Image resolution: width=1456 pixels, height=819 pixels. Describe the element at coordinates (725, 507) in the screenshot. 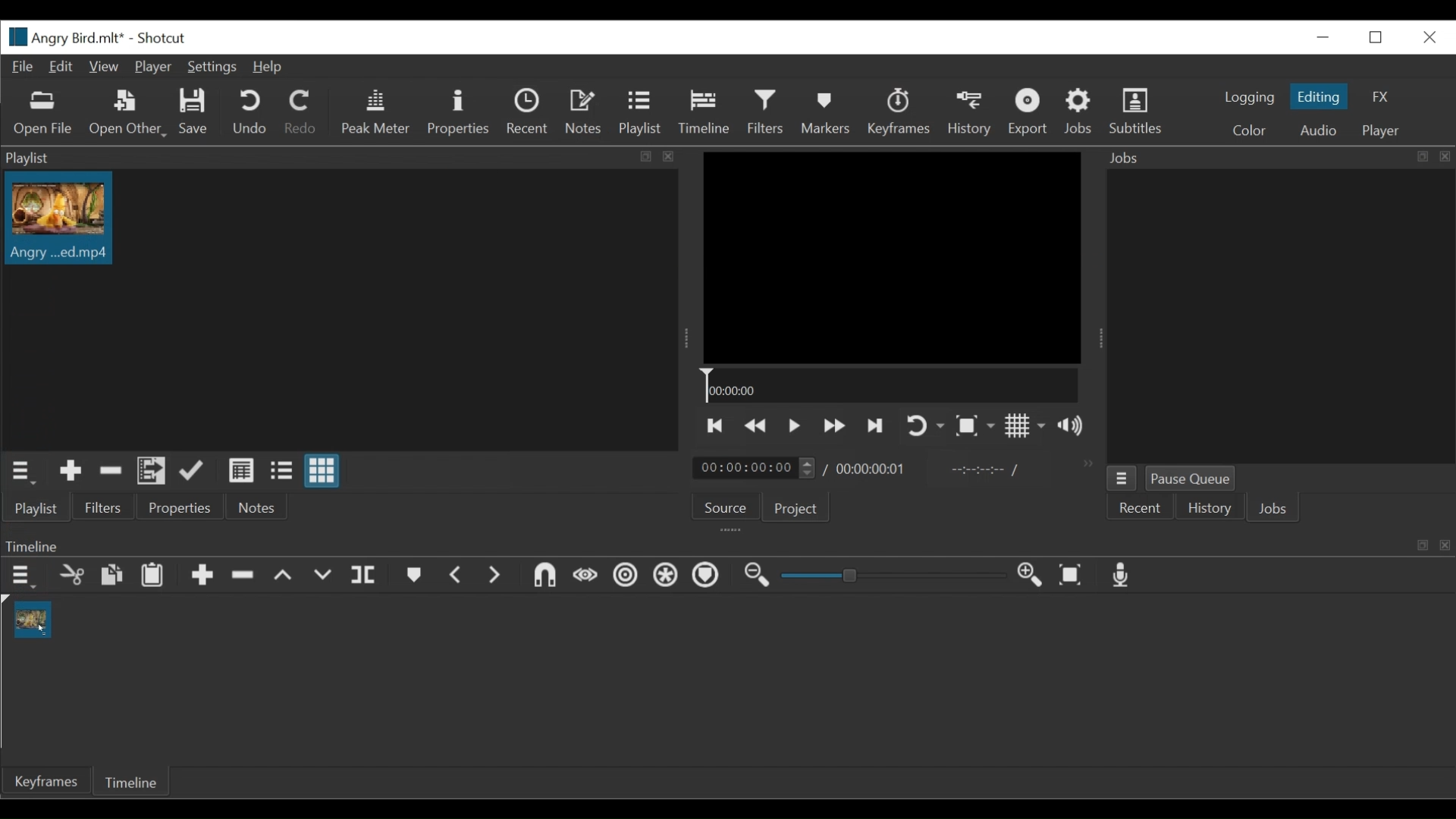

I see `Source` at that location.